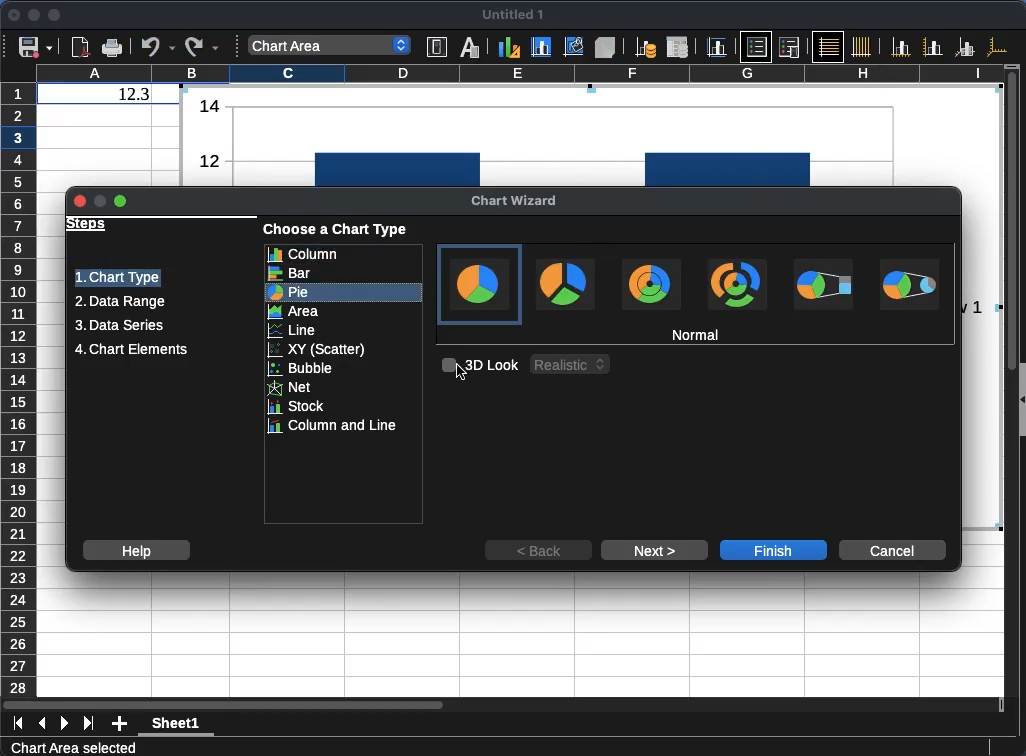  What do you see at coordinates (344, 273) in the screenshot?
I see `bar` at bounding box center [344, 273].